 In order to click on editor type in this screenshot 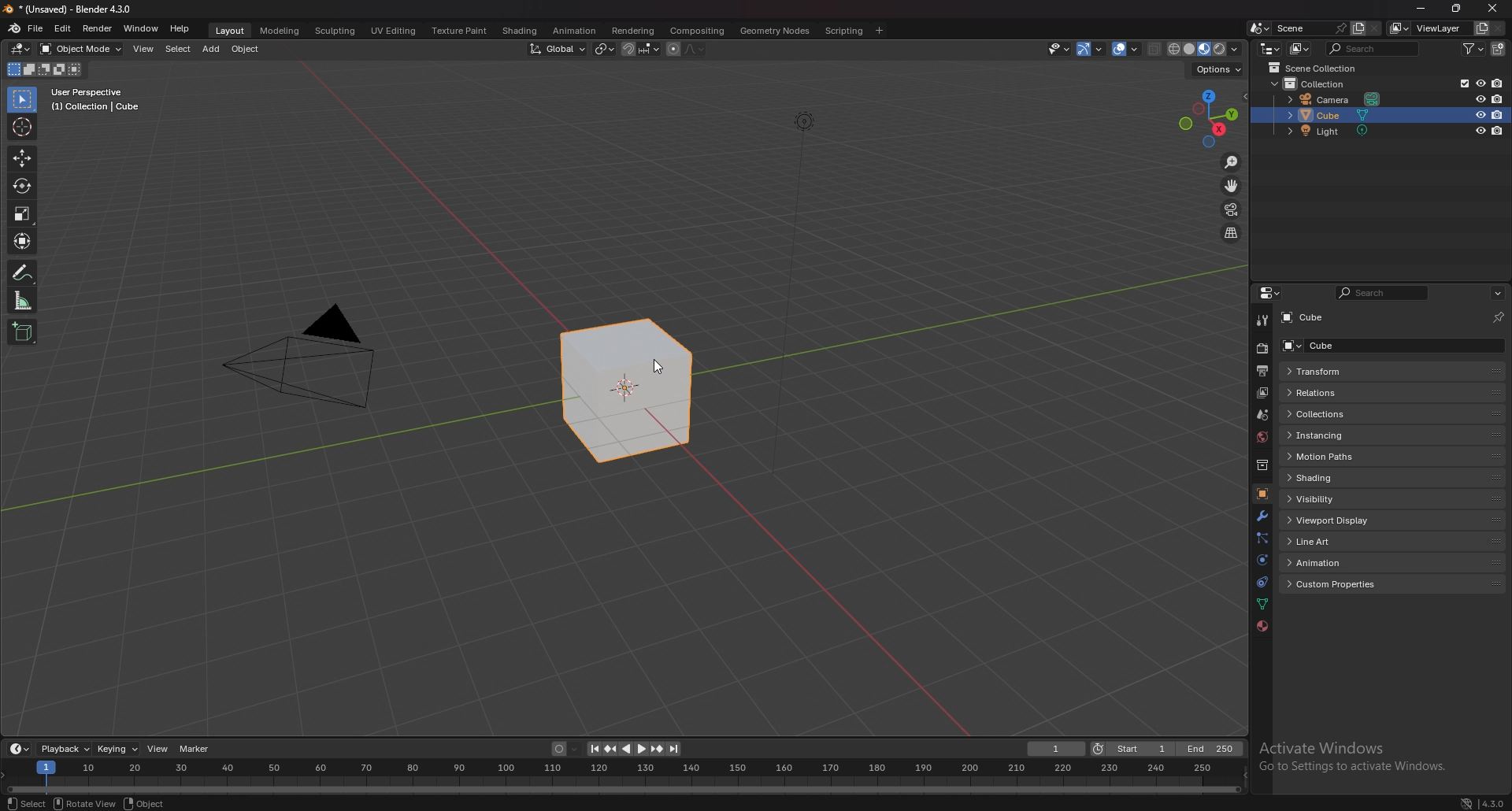, I will do `click(1269, 49)`.